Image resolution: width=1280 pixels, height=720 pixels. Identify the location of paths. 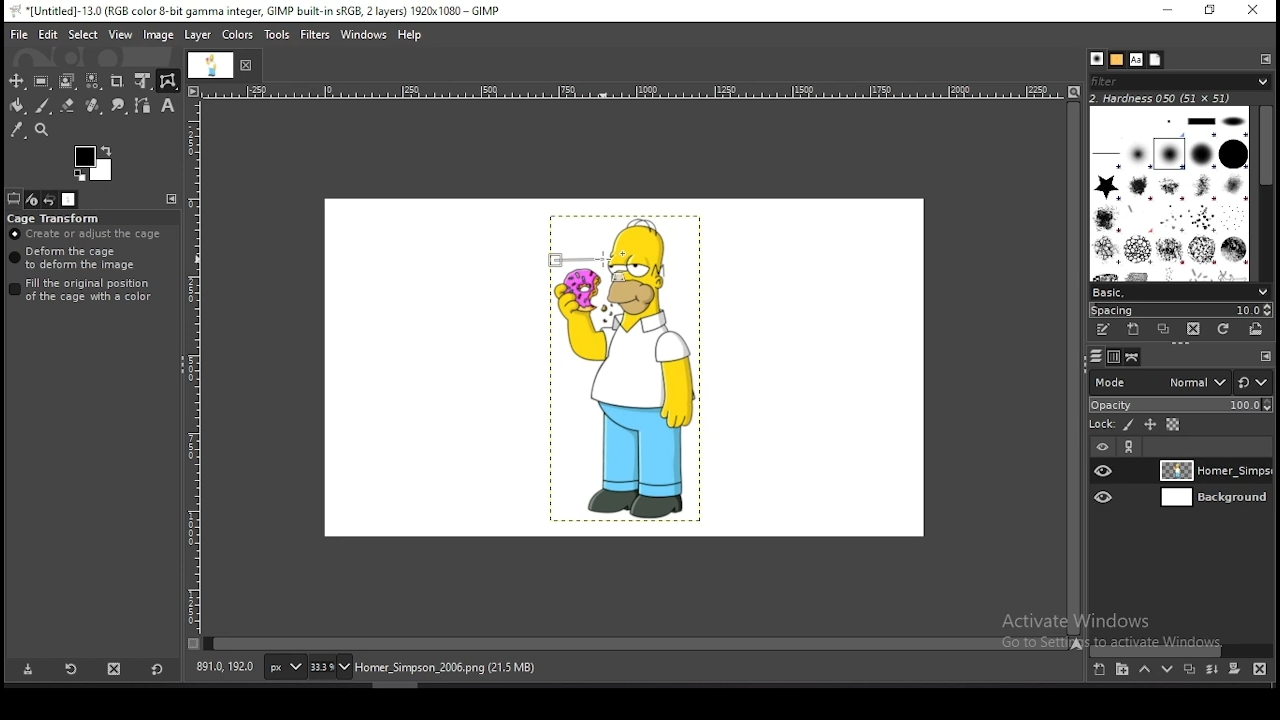
(1130, 357).